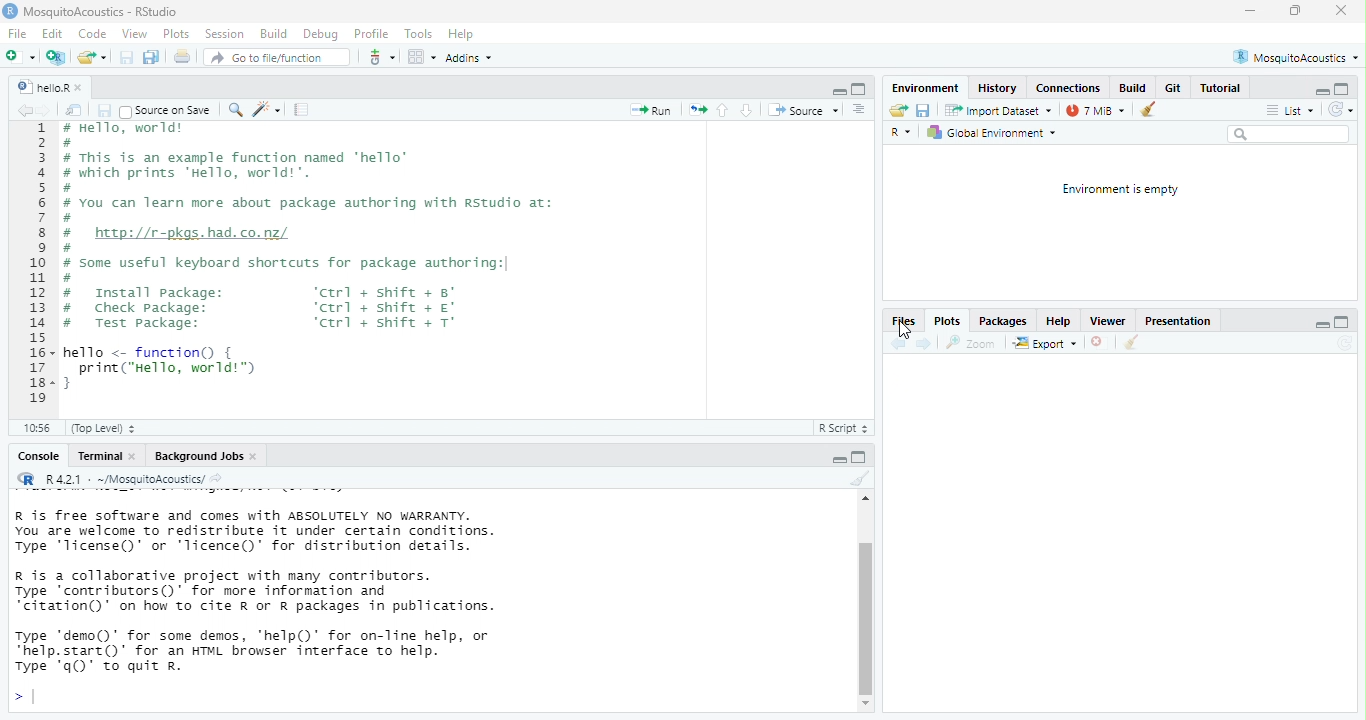  I want to click on hide r script, so click(831, 459).